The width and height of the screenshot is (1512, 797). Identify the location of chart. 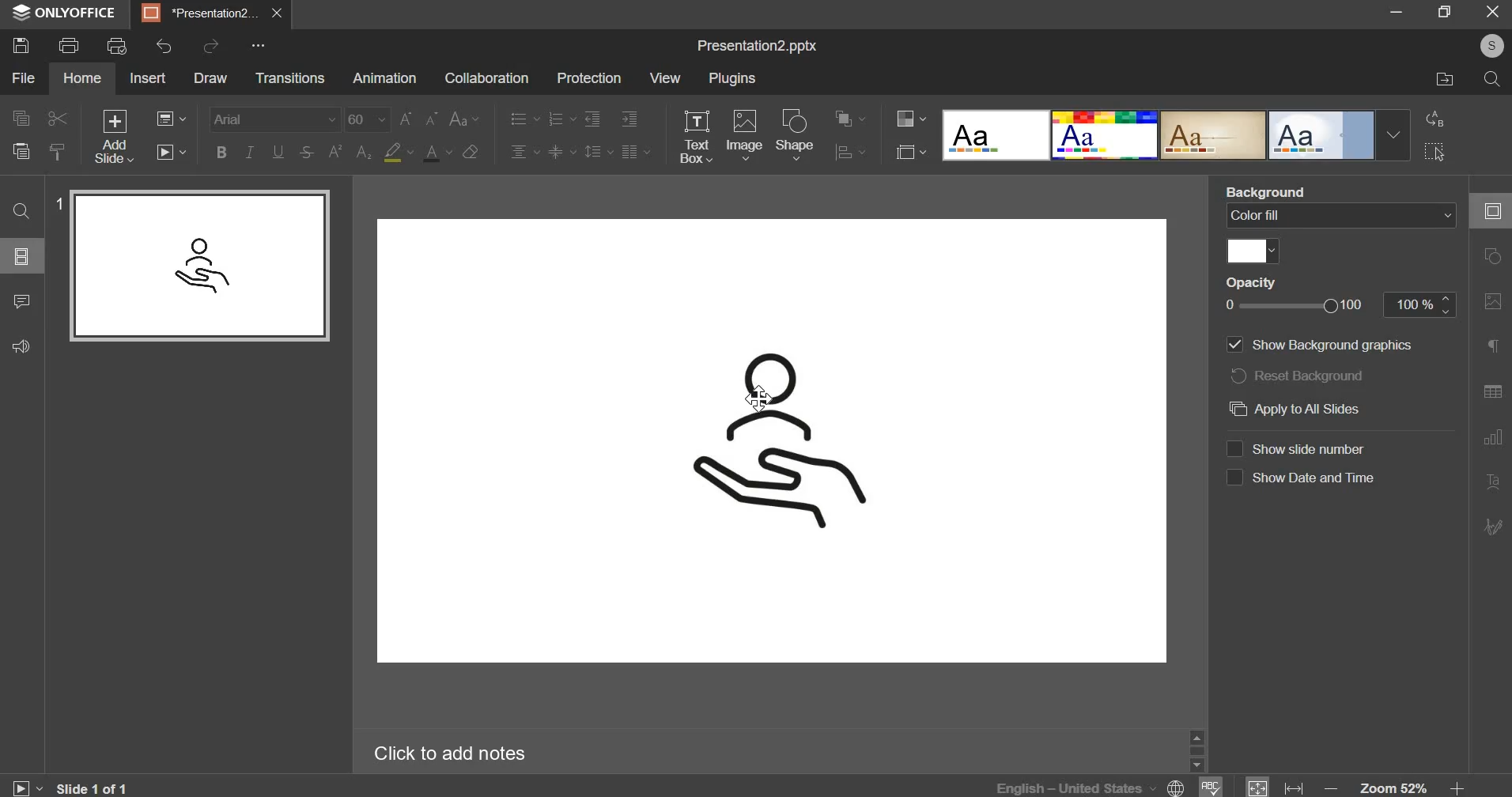
(1491, 440).